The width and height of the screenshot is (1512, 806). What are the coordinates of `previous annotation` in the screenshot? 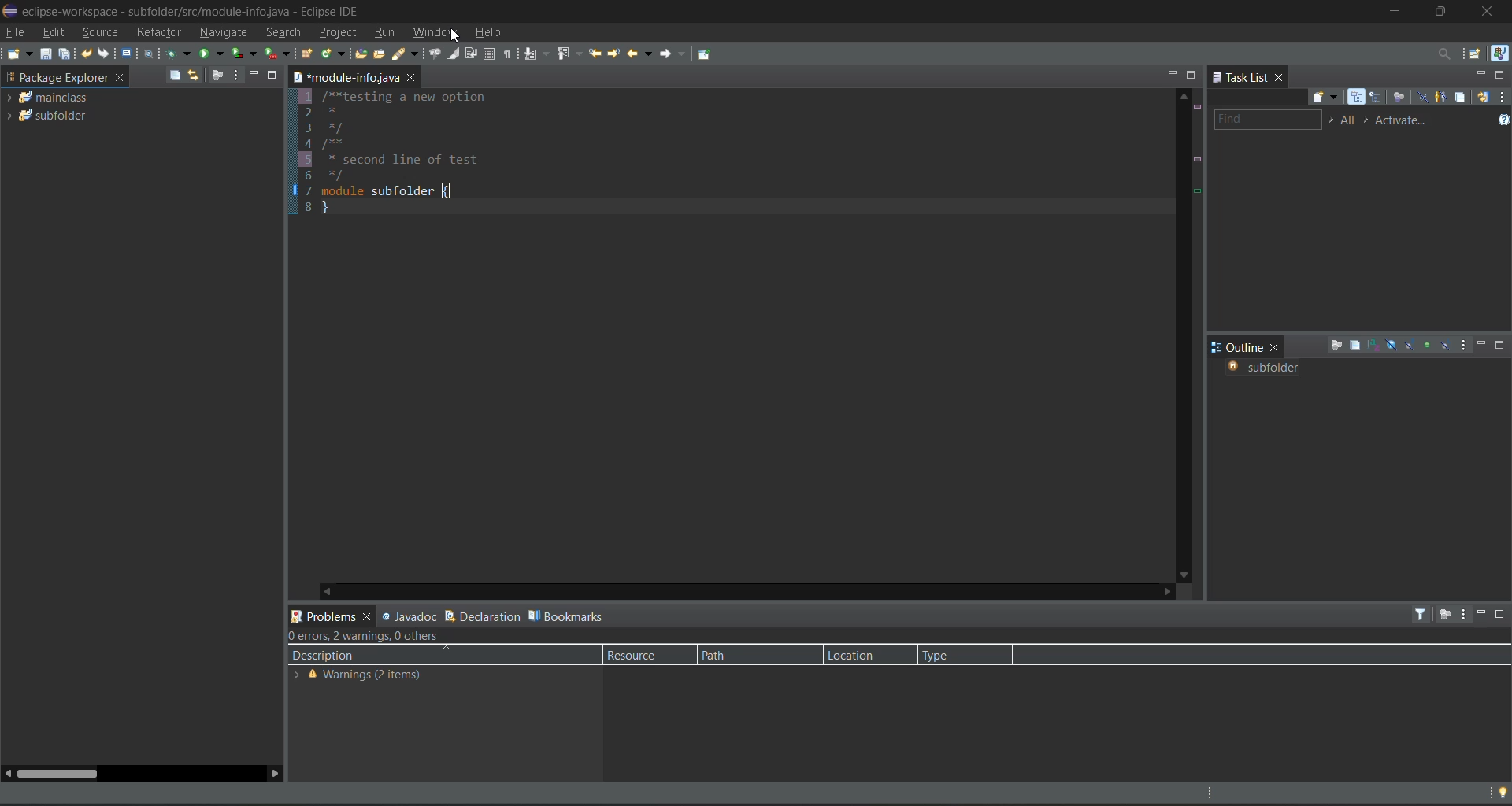 It's located at (568, 52).